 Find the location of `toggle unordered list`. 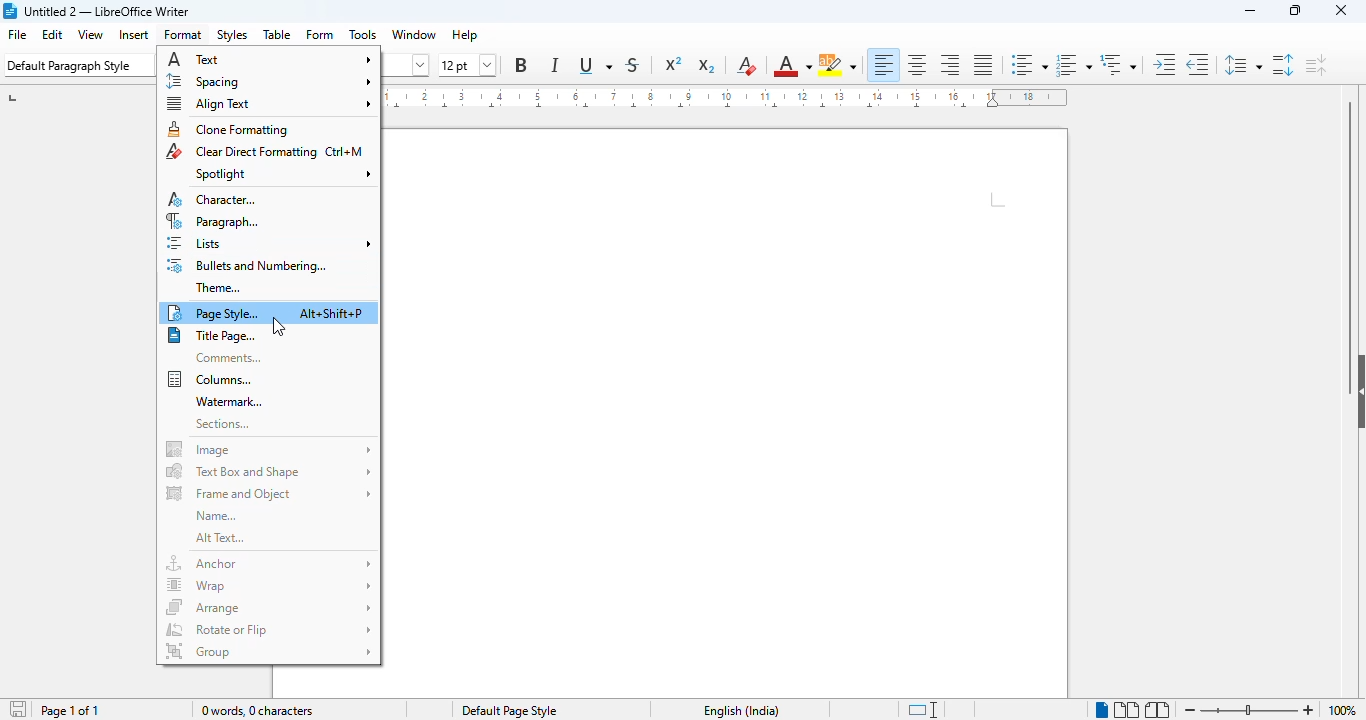

toggle unordered list is located at coordinates (1028, 65).